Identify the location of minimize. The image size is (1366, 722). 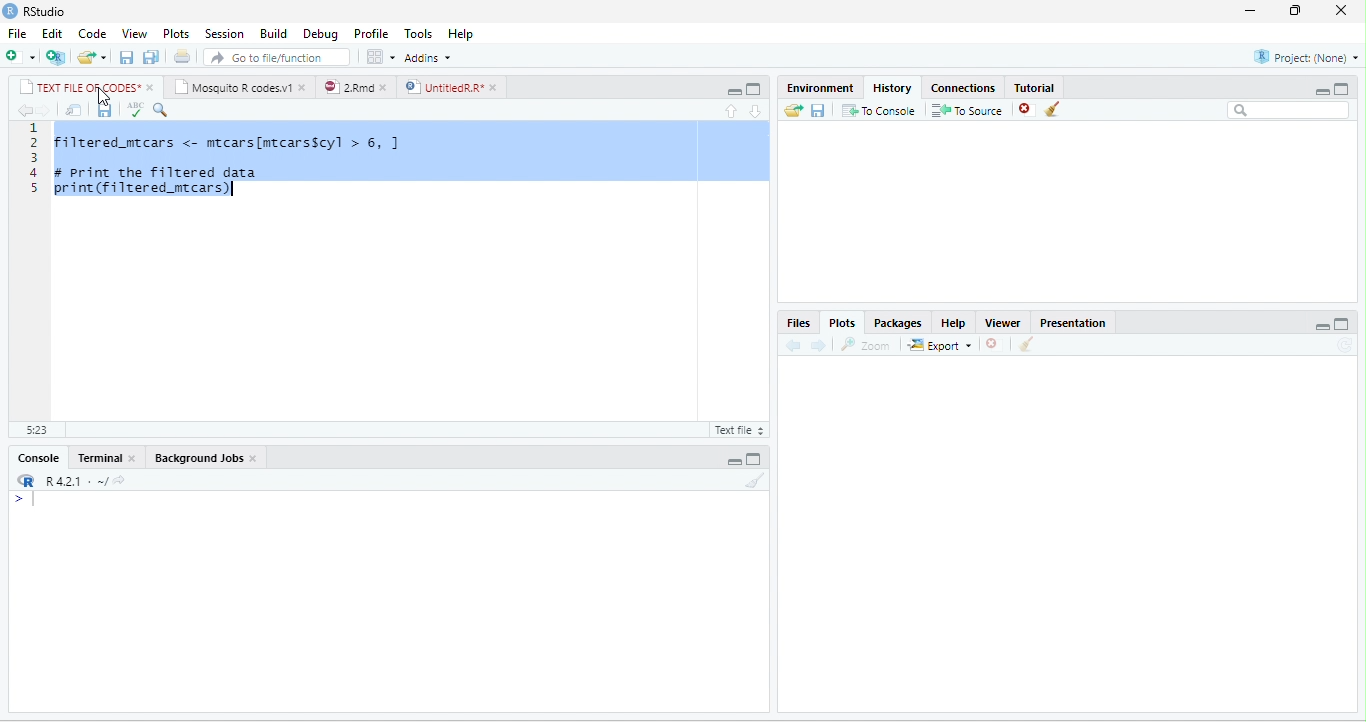
(734, 91).